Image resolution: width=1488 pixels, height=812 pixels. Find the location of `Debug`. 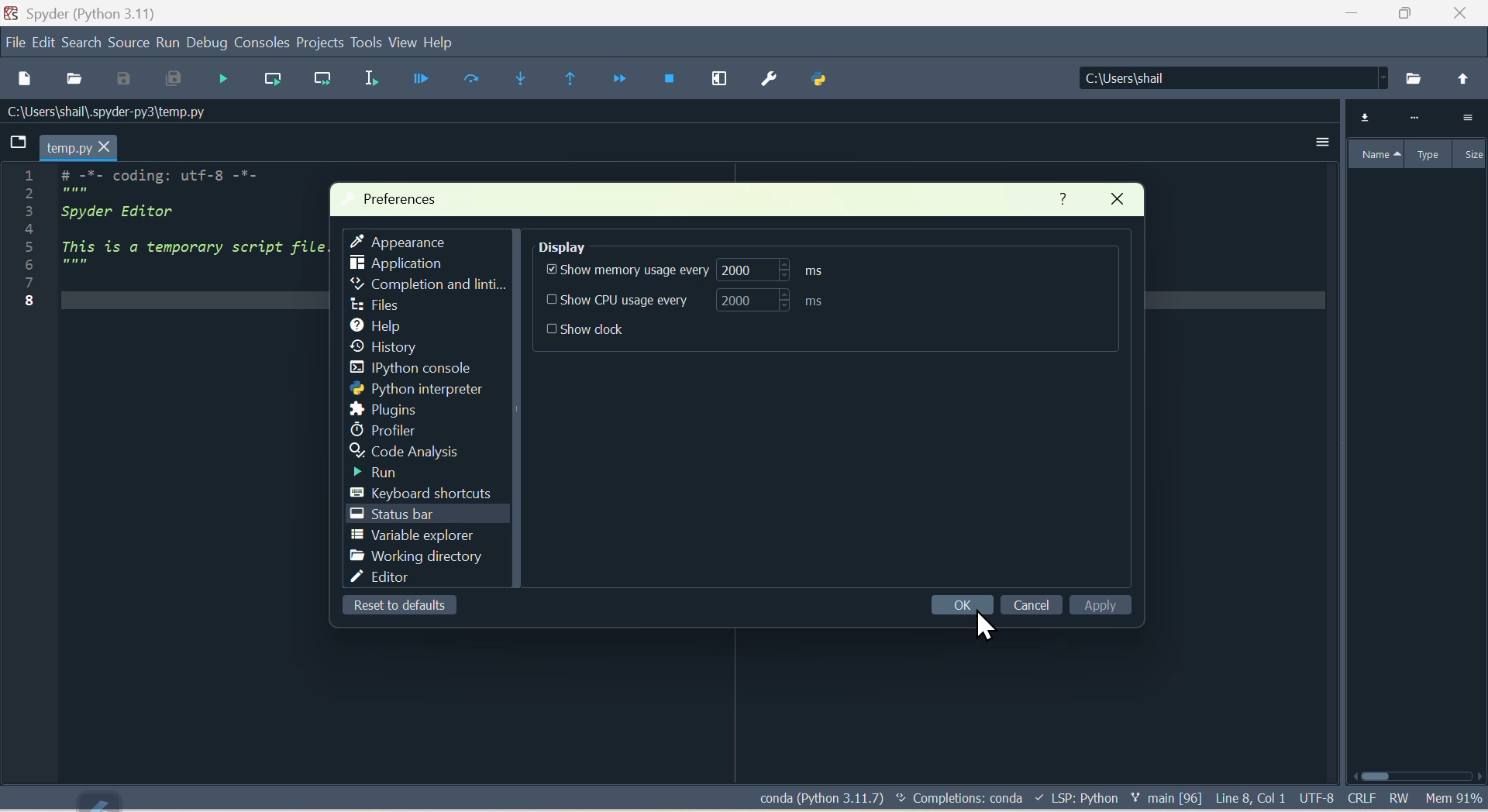

Debug is located at coordinates (205, 43).